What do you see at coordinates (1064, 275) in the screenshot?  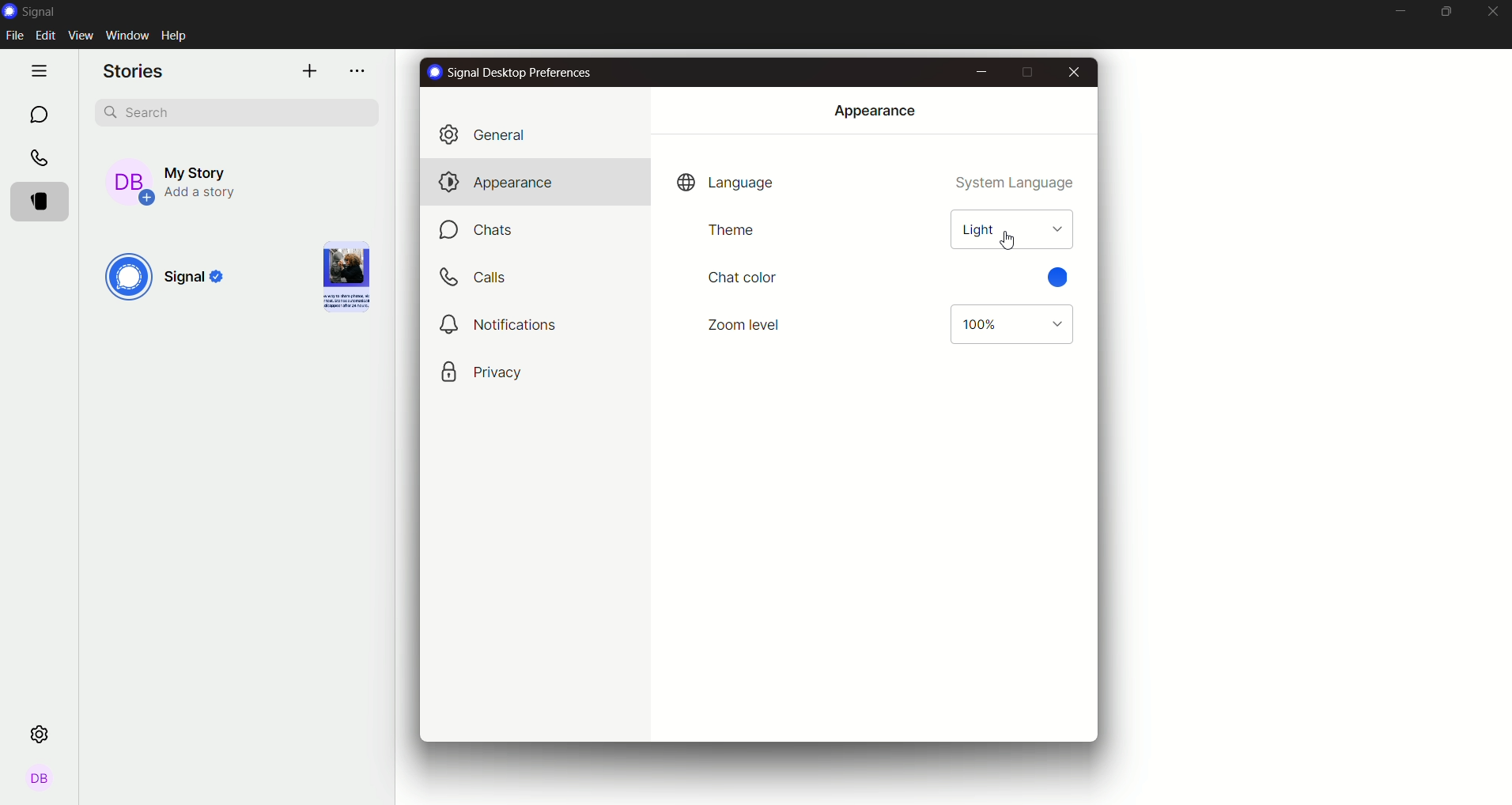 I see `chat color picker options` at bounding box center [1064, 275].